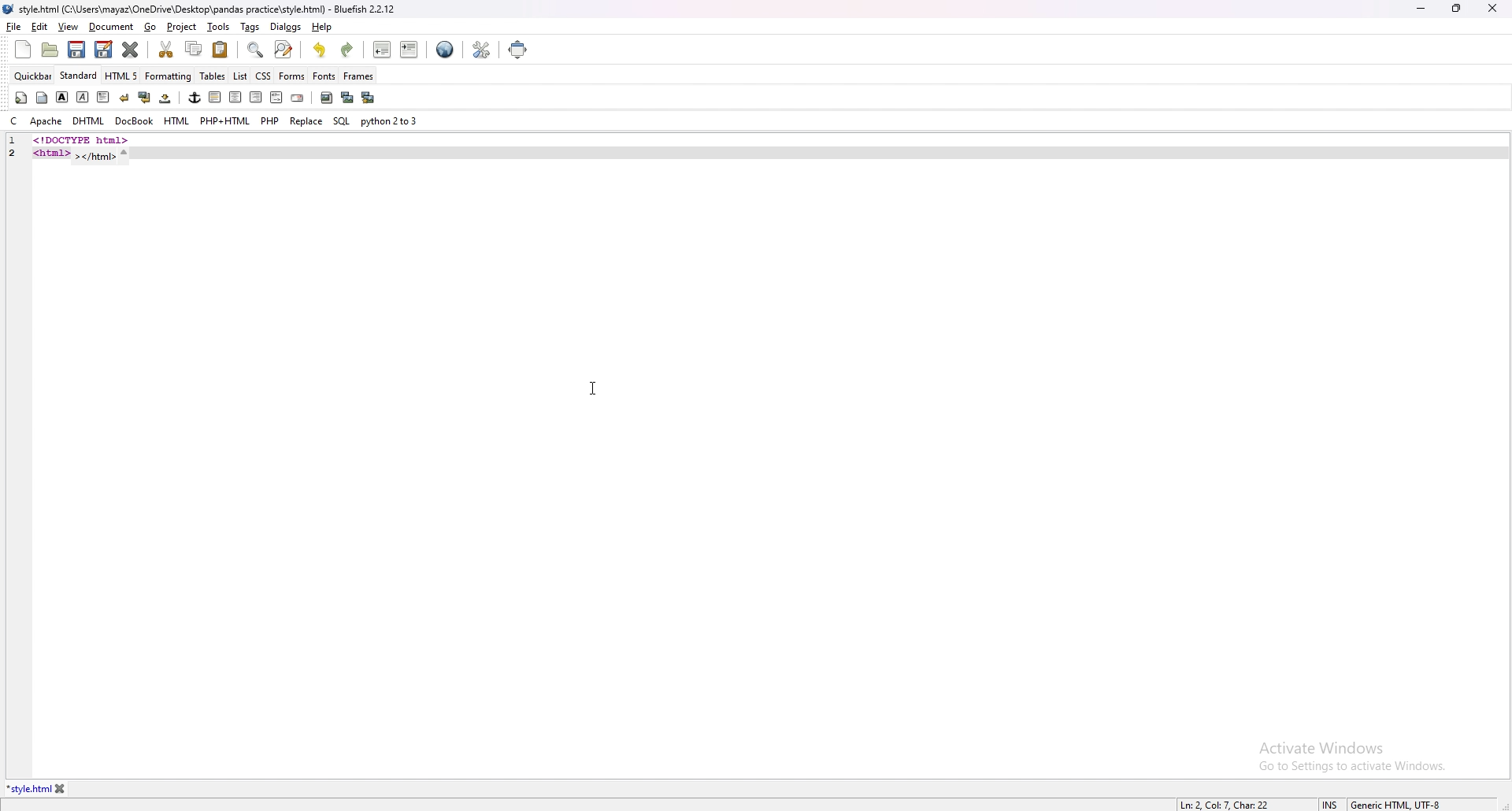 The image size is (1512, 811). Describe the element at coordinates (321, 50) in the screenshot. I see `undo` at that location.